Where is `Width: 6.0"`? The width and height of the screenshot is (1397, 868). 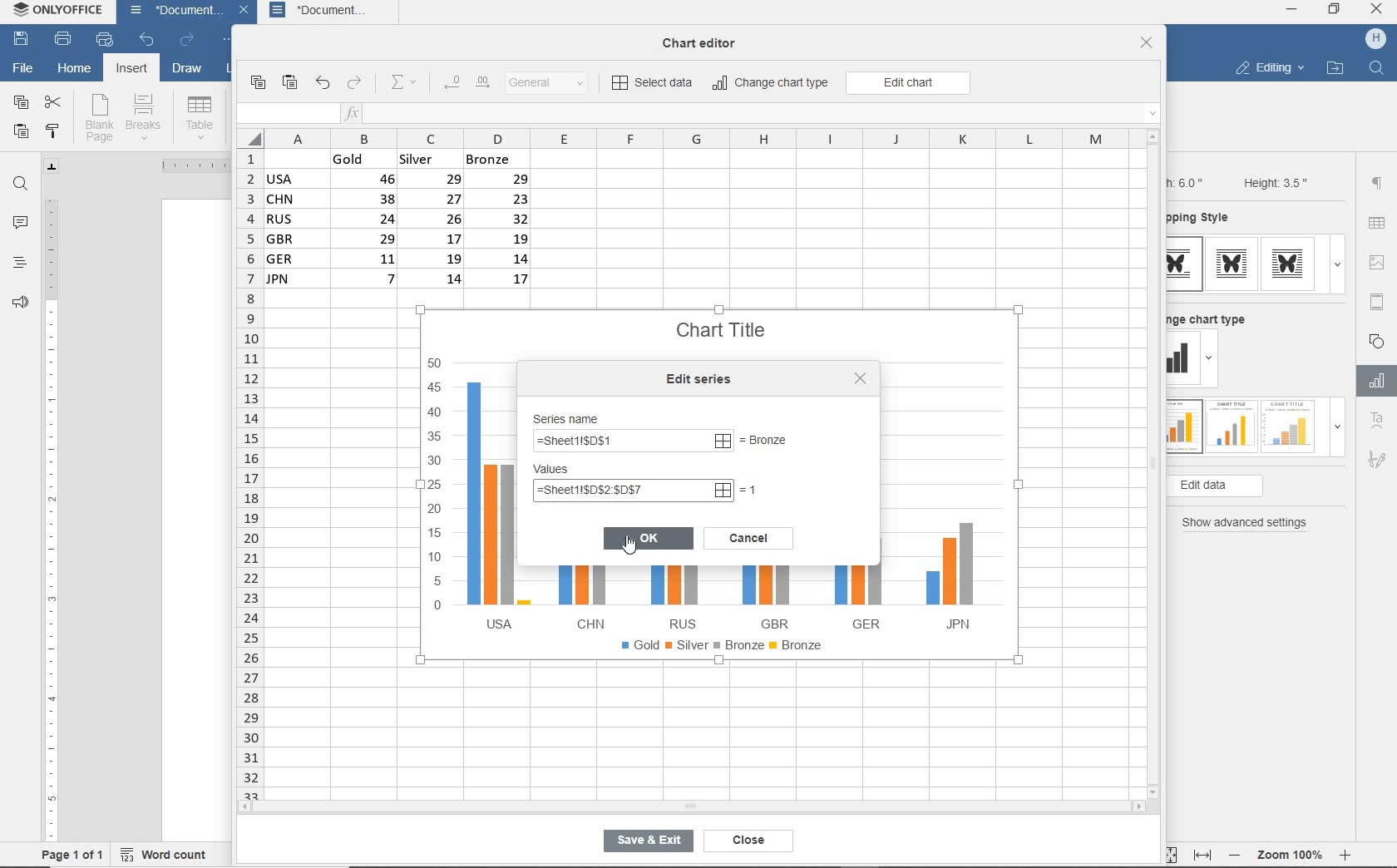 Width: 6.0" is located at coordinates (1188, 181).